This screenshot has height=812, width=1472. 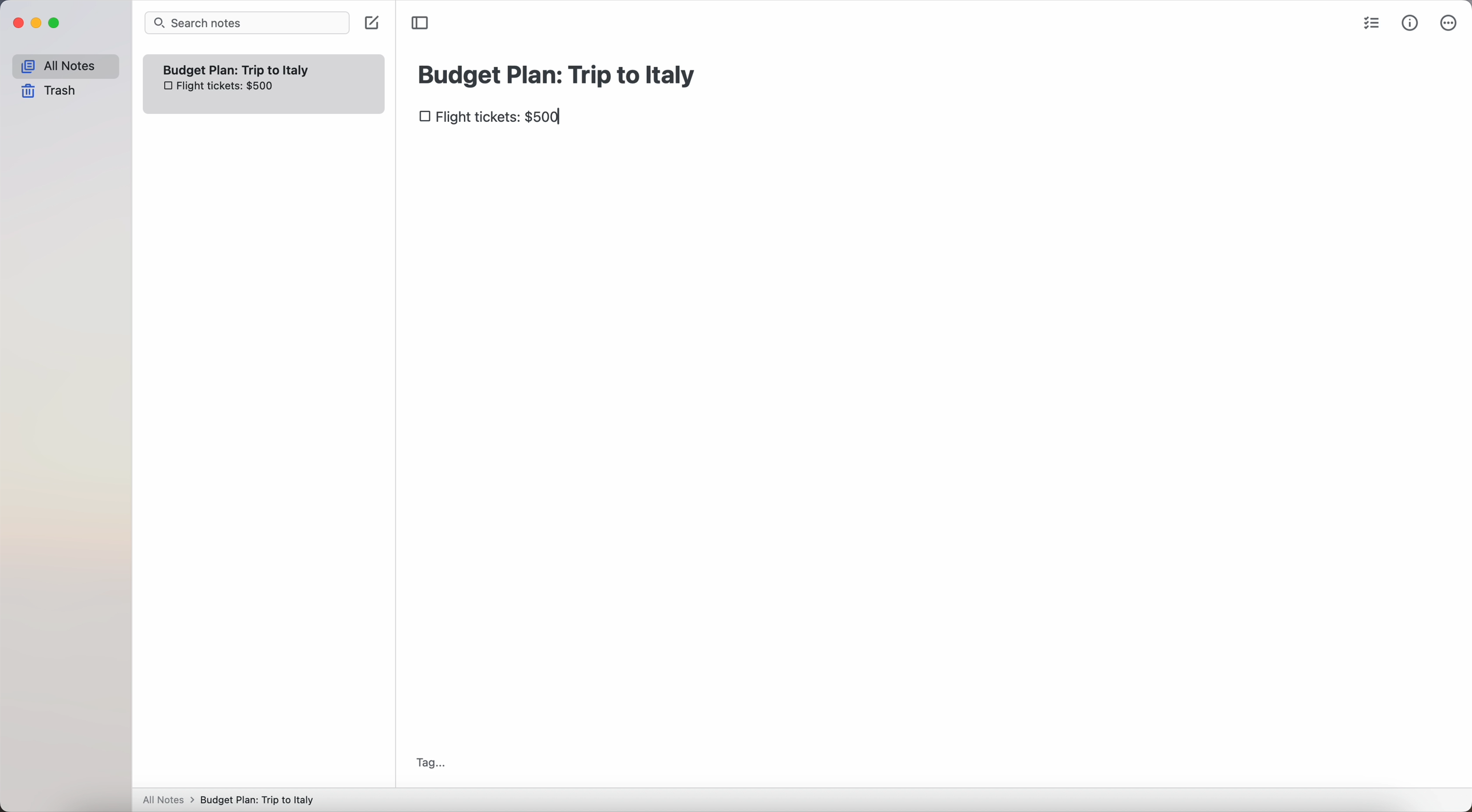 What do you see at coordinates (1449, 23) in the screenshot?
I see `more options` at bounding box center [1449, 23].